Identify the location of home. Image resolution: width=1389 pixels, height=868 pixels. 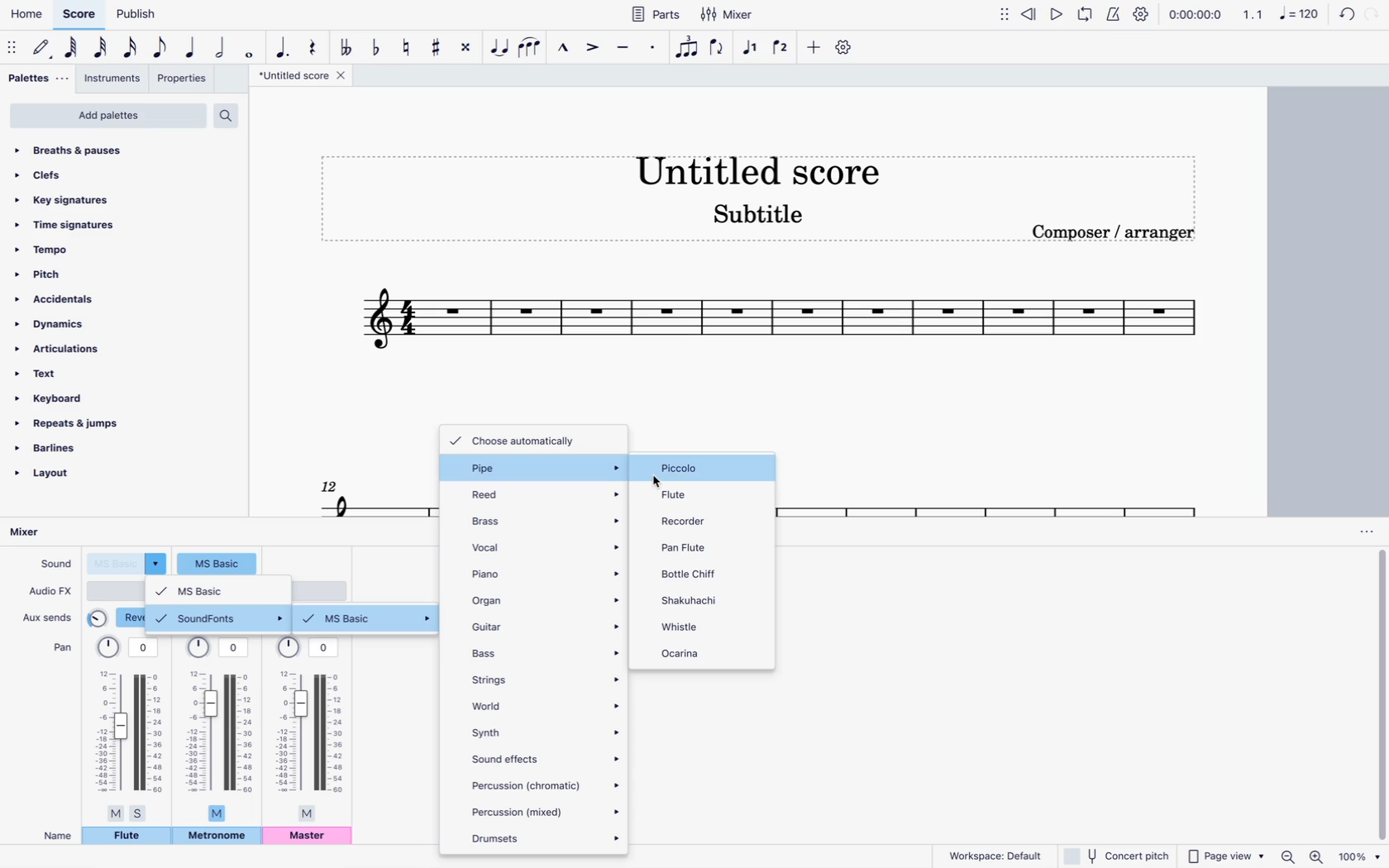
(25, 14).